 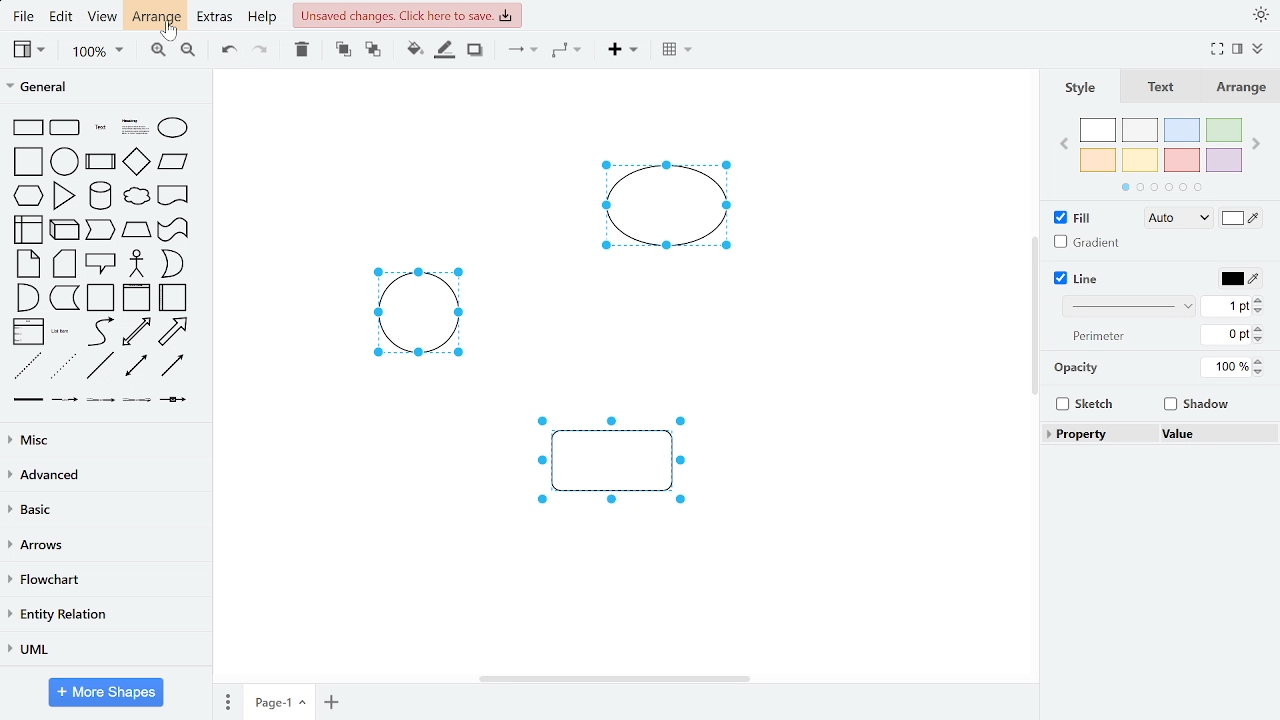 What do you see at coordinates (101, 366) in the screenshot?
I see `line` at bounding box center [101, 366].